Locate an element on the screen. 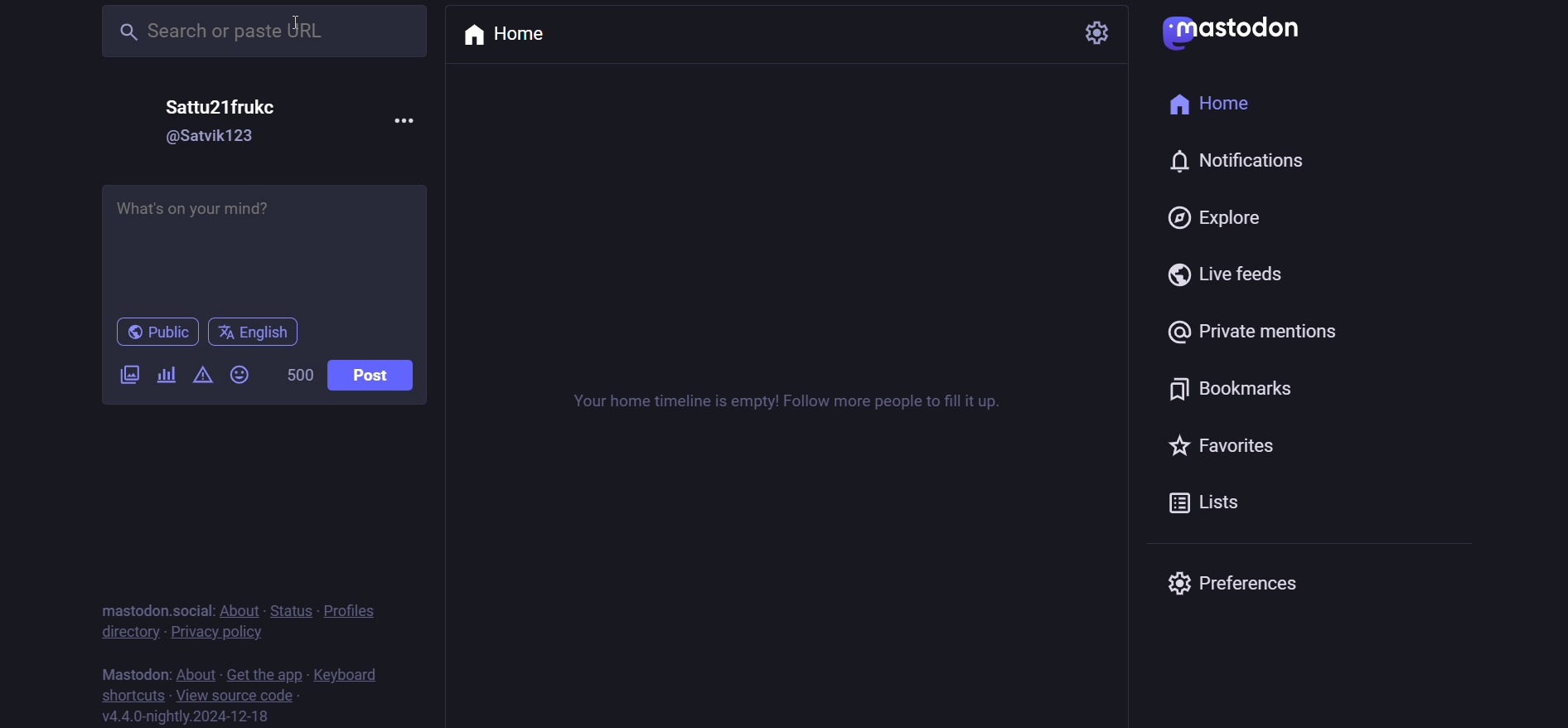 The height and width of the screenshot is (728, 1568). content warning is located at coordinates (203, 377).